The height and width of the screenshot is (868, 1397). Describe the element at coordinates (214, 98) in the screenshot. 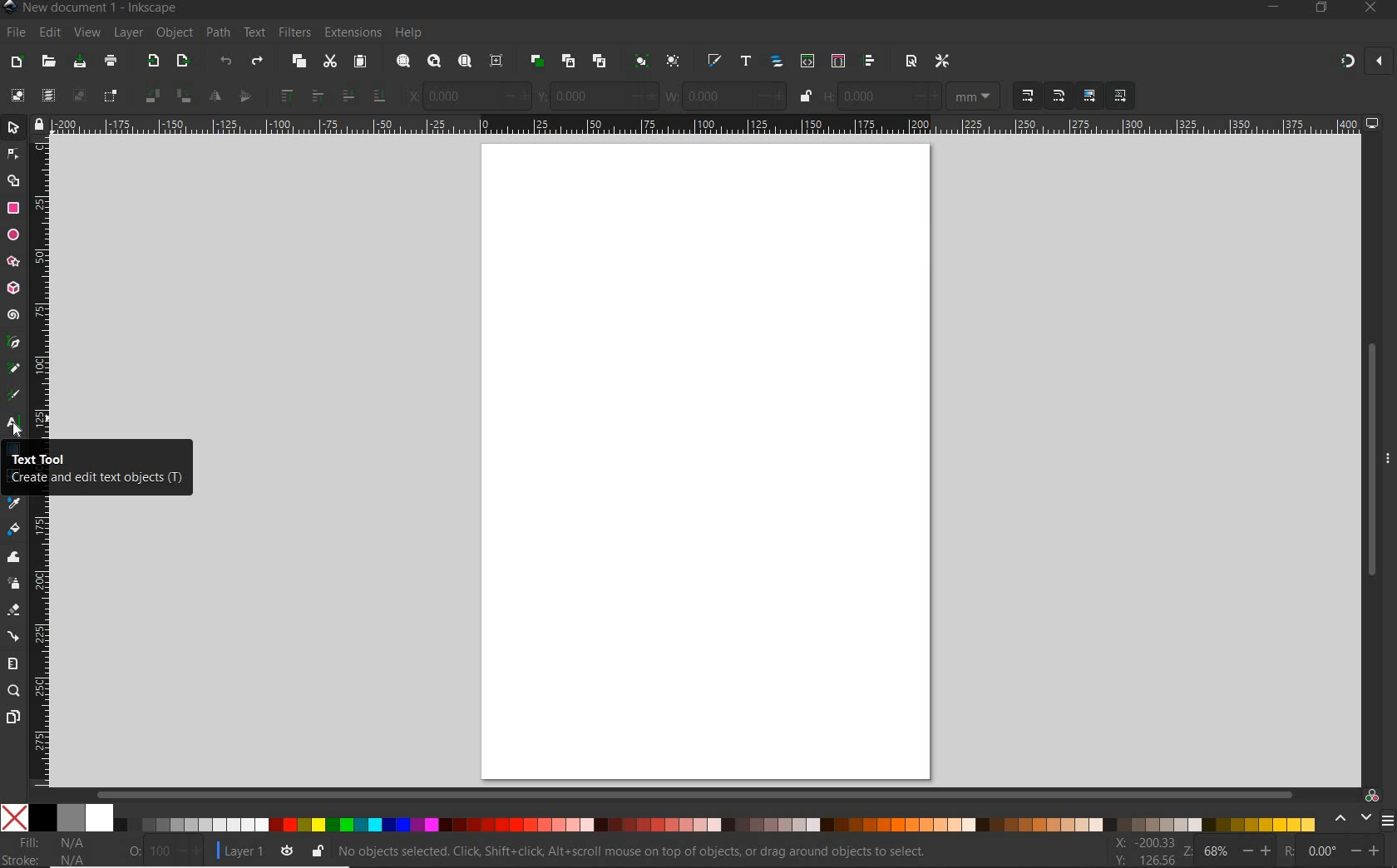

I see `object flip` at that location.